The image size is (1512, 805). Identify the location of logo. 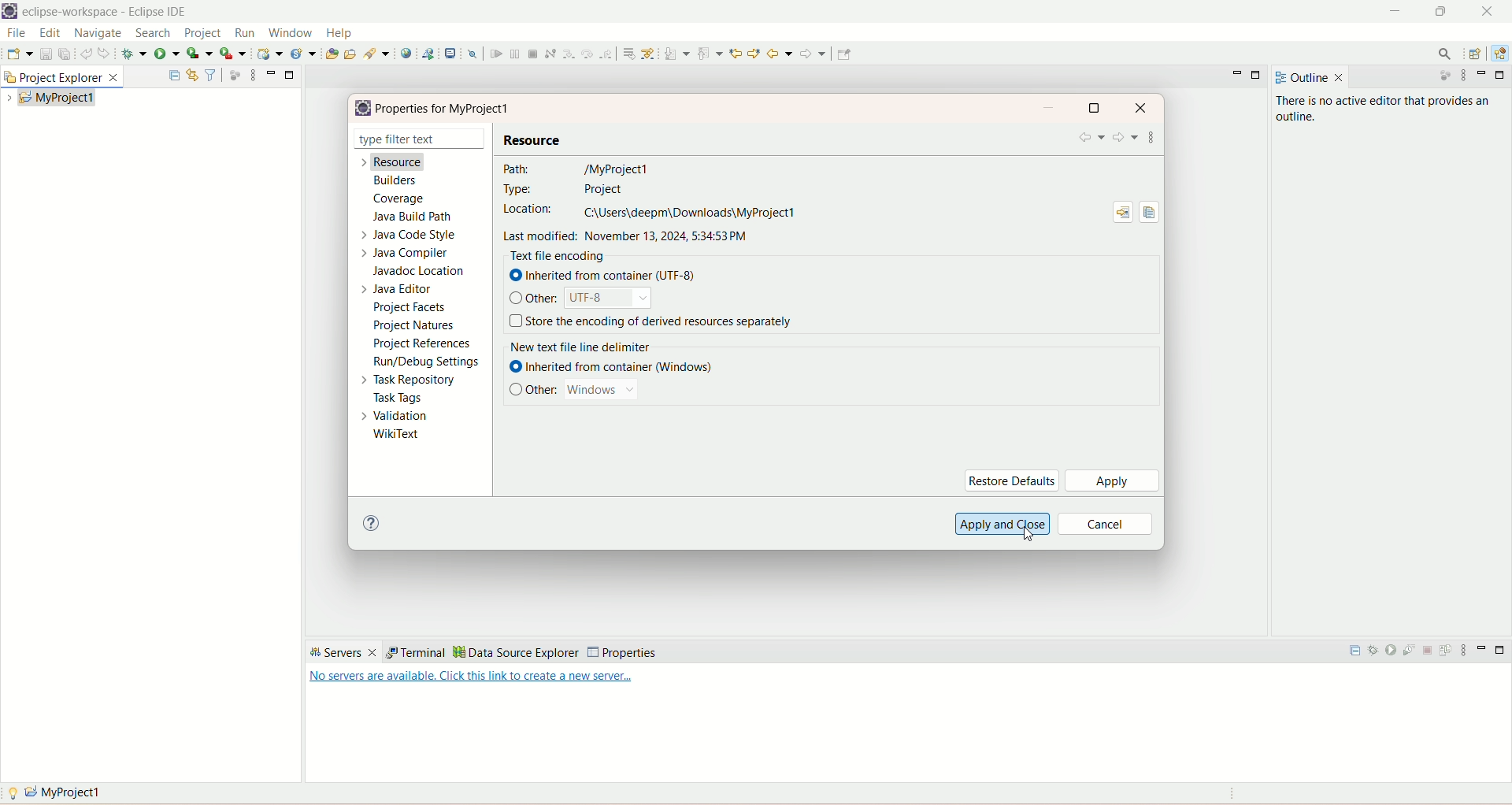
(11, 11).